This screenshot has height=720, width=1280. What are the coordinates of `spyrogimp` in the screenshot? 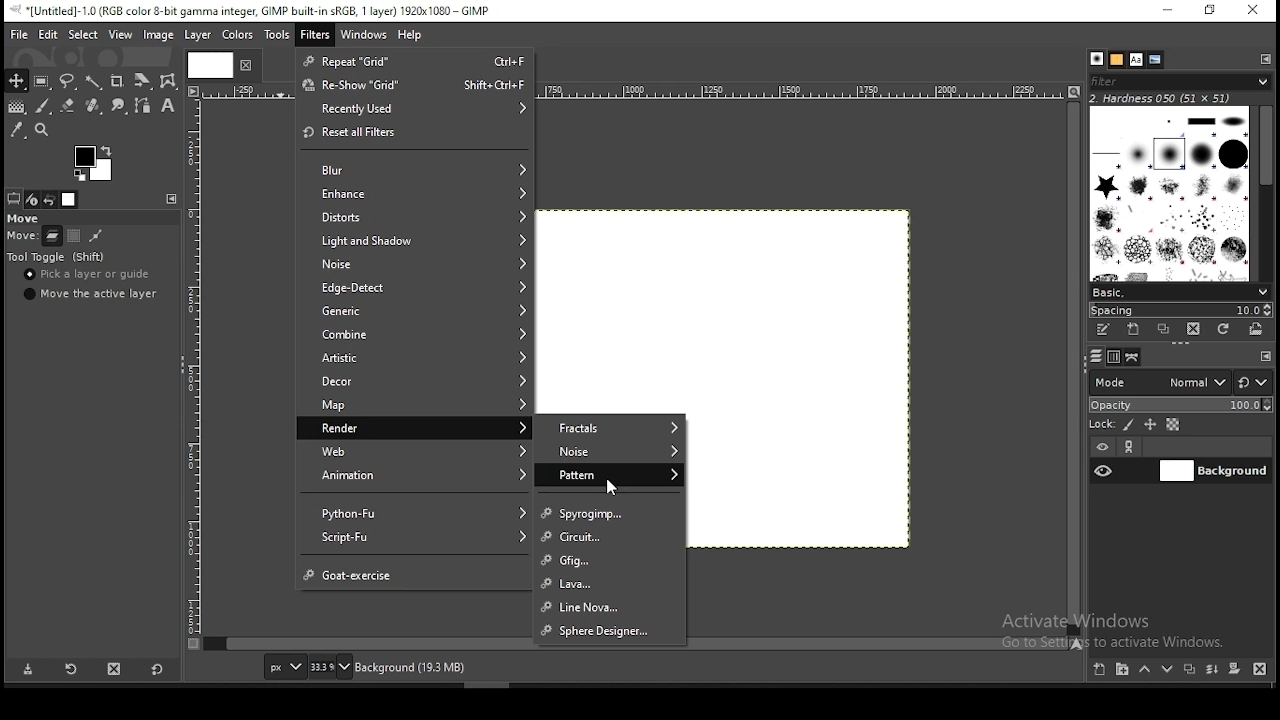 It's located at (611, 514).